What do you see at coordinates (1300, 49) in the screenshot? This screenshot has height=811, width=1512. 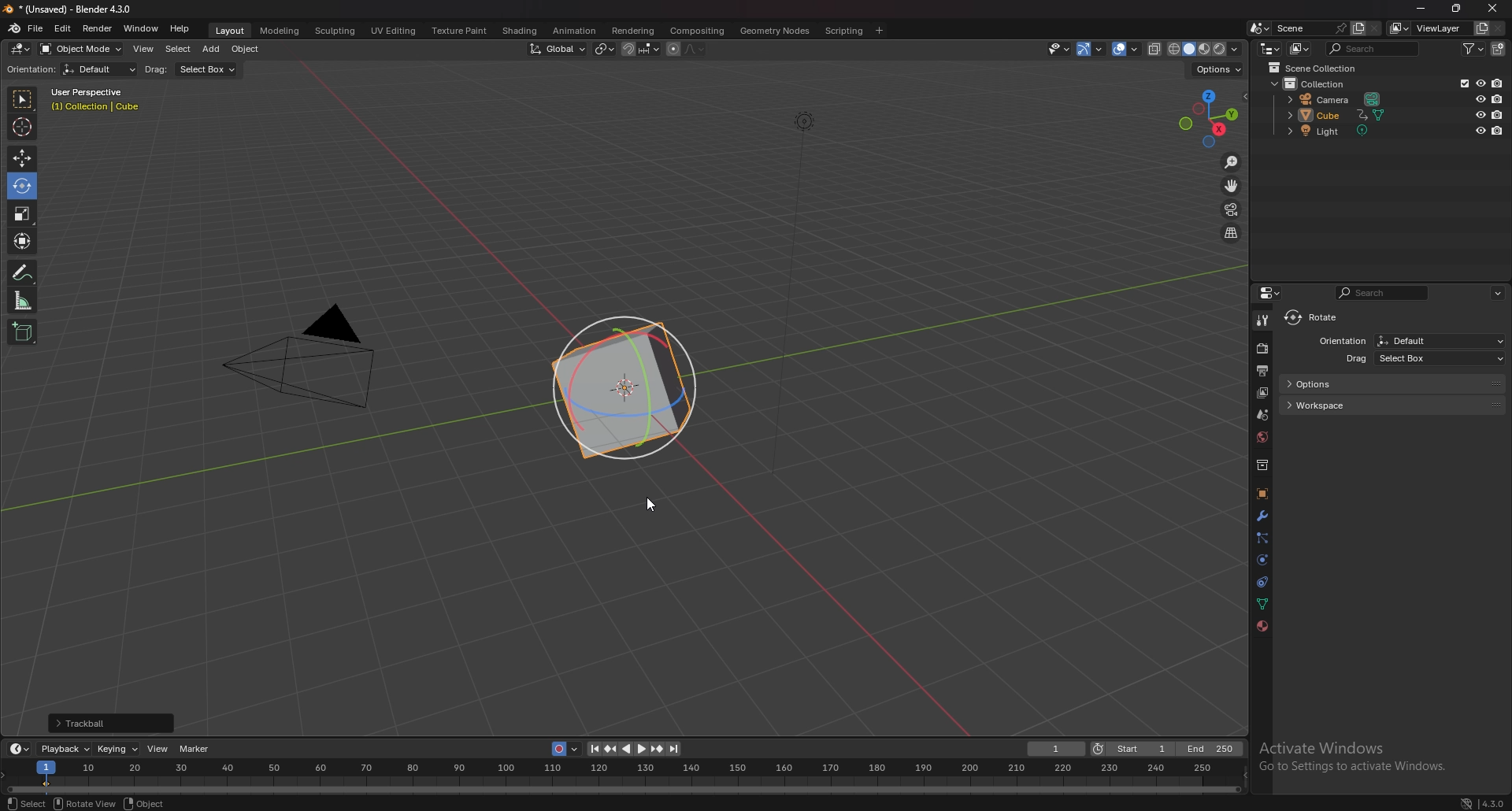 I see `display mode` at bounding box center [1300, 49].